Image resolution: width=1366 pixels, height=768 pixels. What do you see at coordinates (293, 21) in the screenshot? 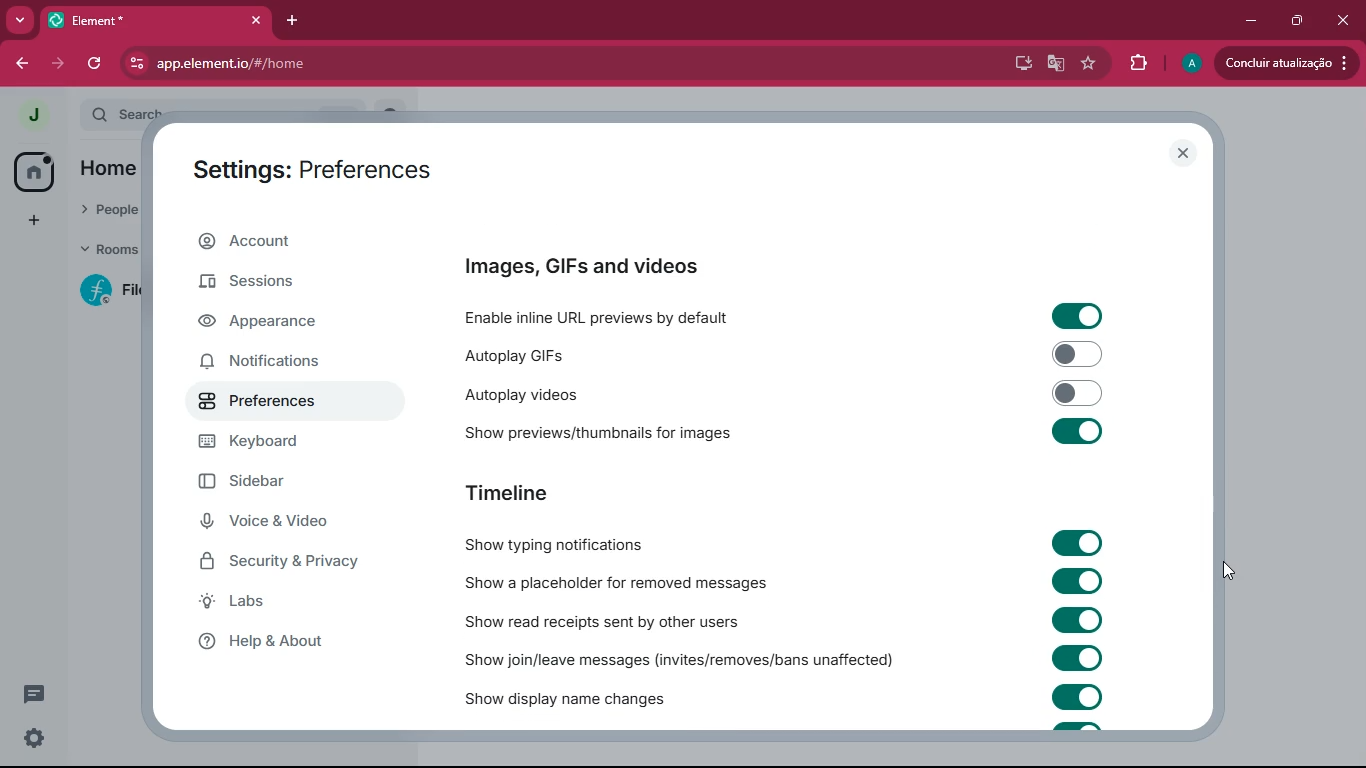
I see `add tab` at bounding box center [293, 21].